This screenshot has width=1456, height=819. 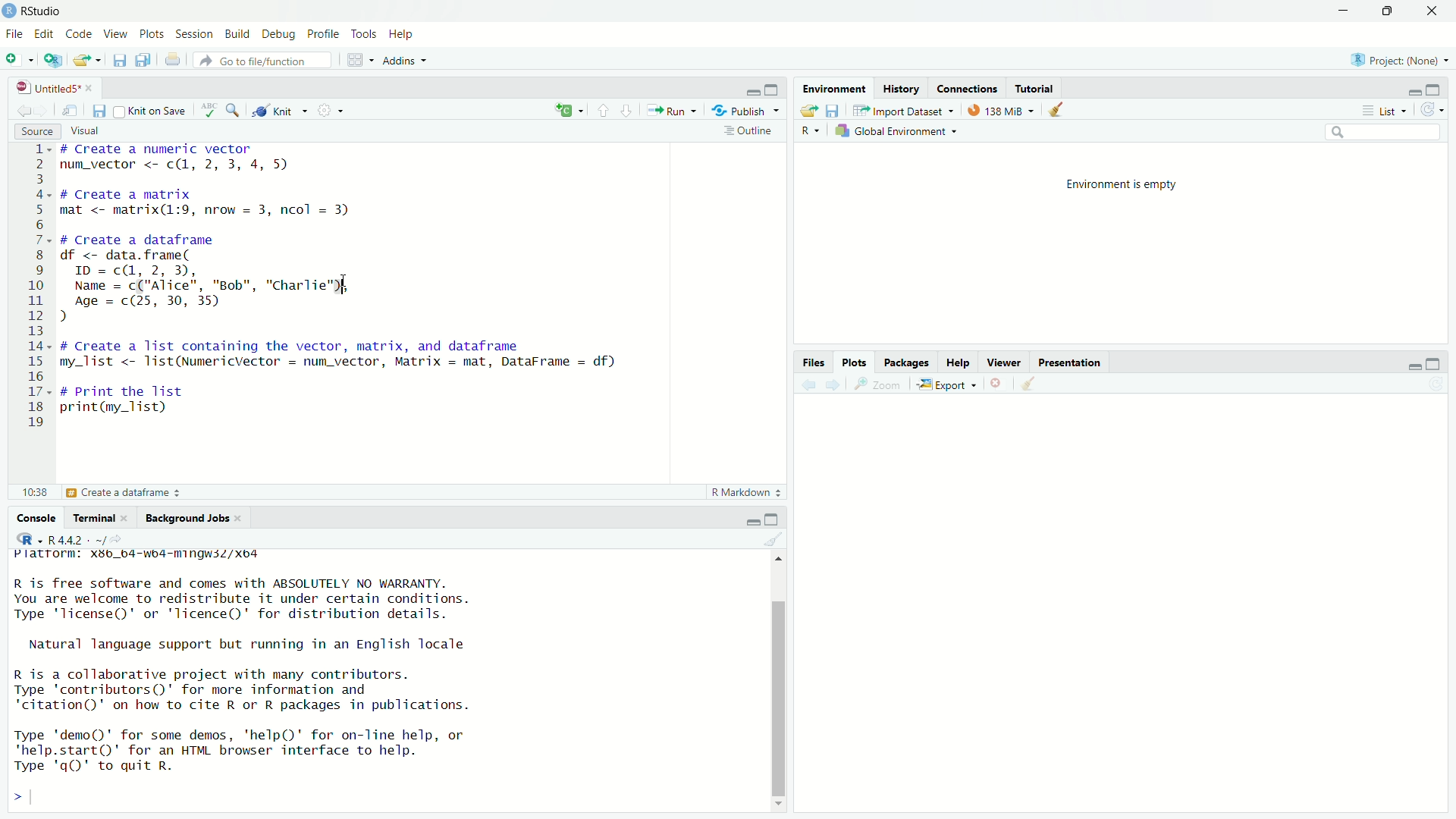 What do you see at coordinates (903, 111) in the screenshot?
I see `Import Dataset ~` at bounding box center [903, 111].